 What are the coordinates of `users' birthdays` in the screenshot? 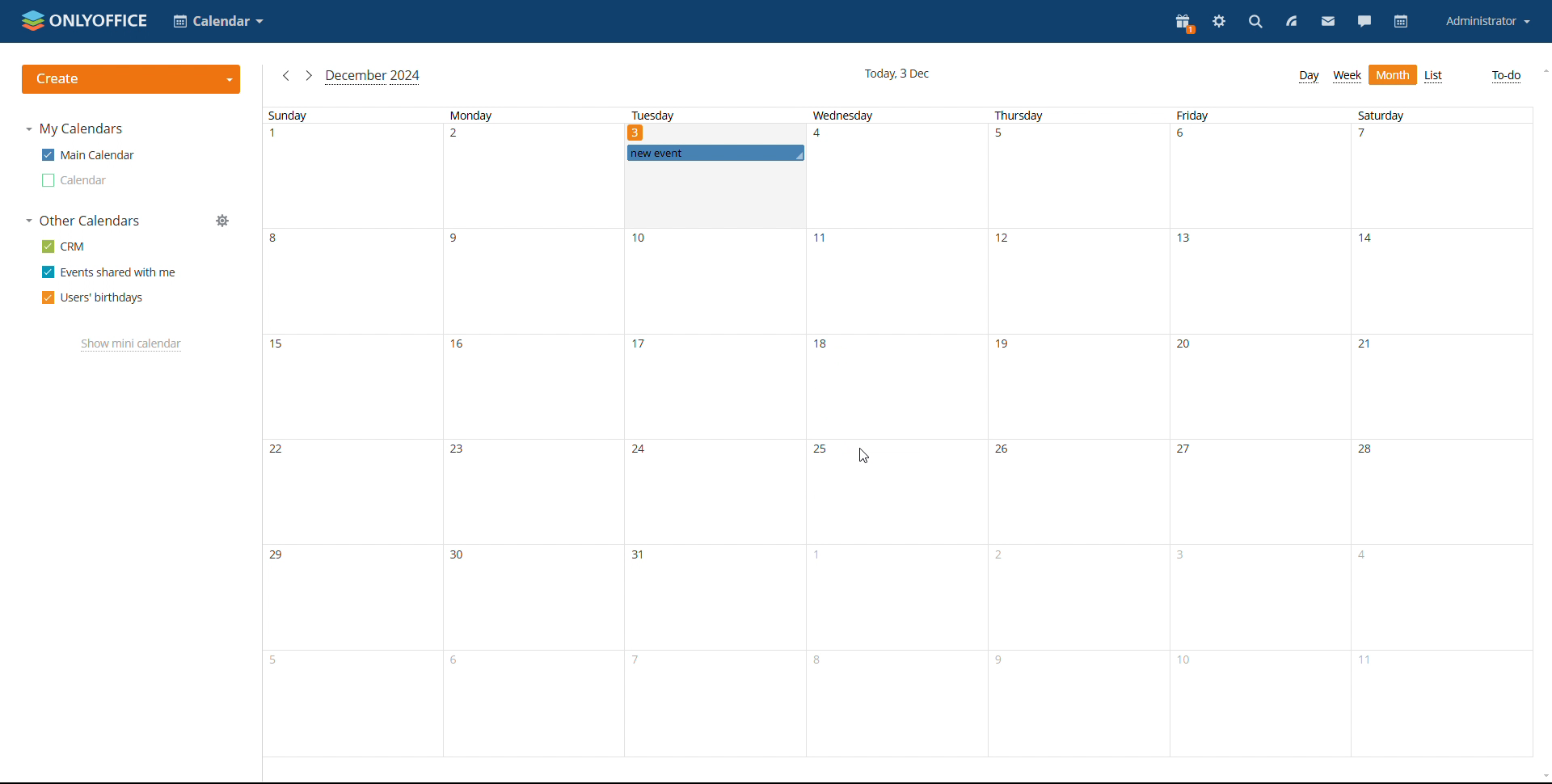 It's located at (94, 297).